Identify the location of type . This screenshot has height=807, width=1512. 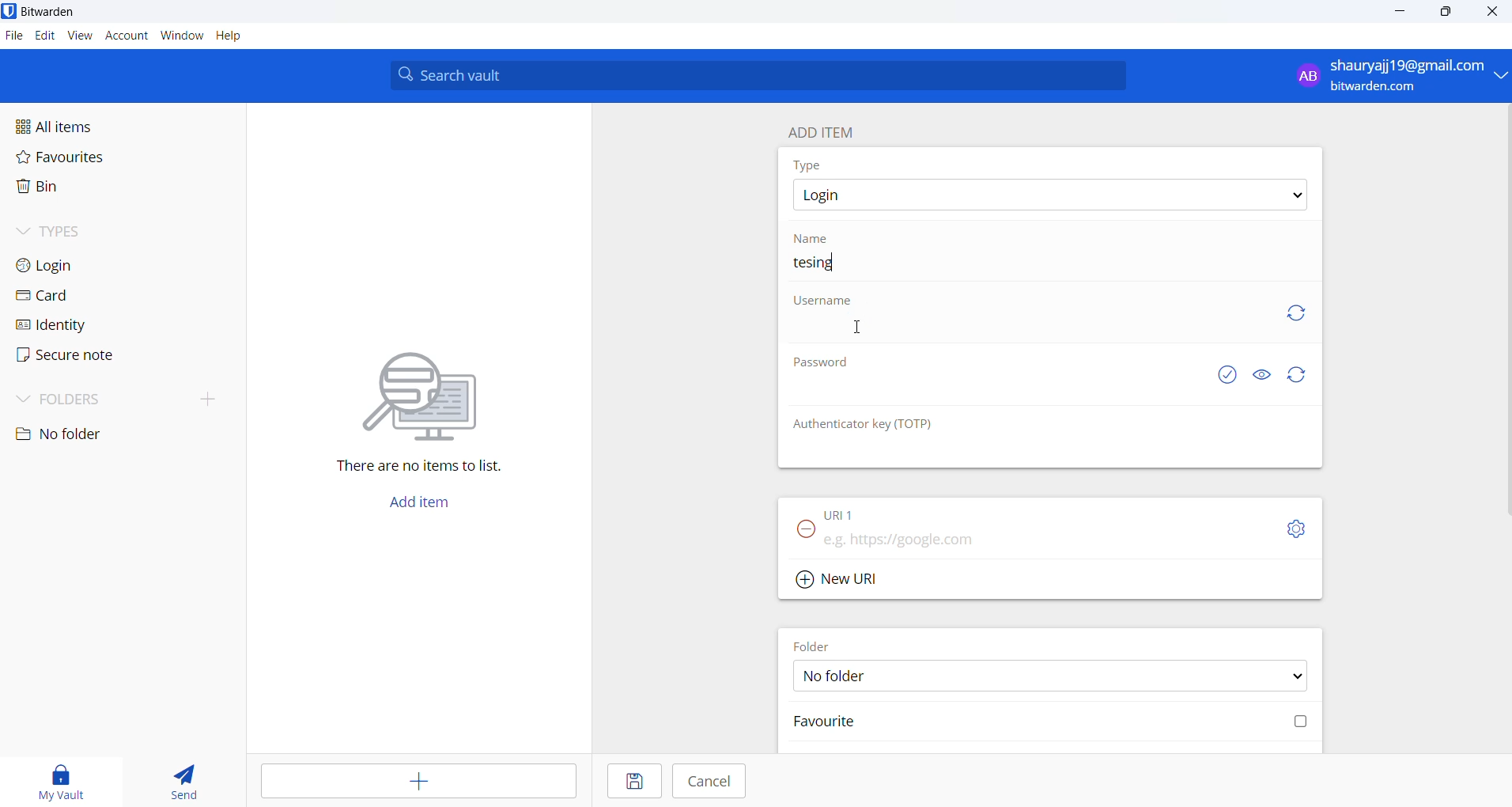
(811, 166).